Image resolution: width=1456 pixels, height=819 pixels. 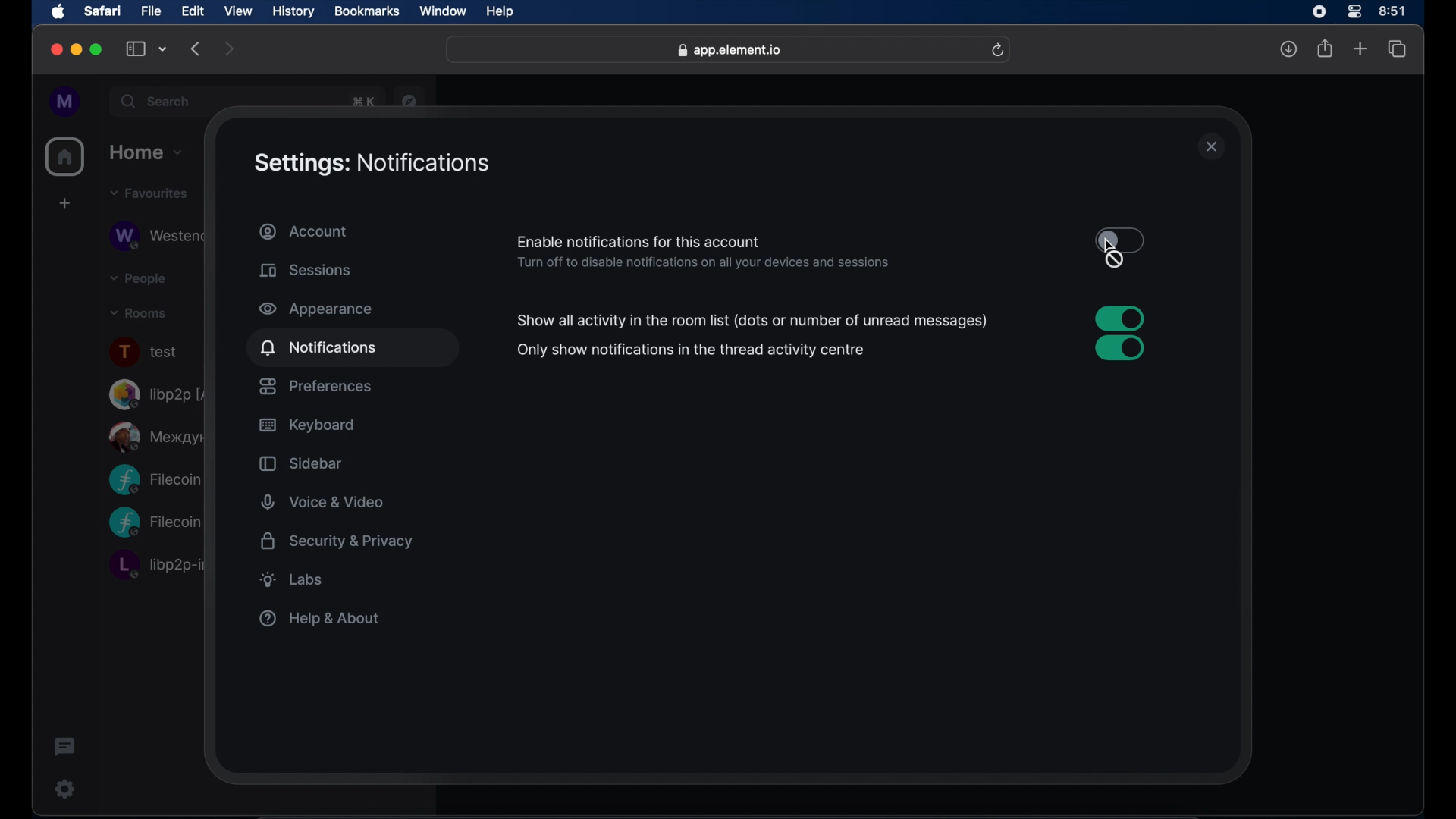 What do you see at coordinates (315, 620) in the screenshot?
I see `help & about` at bounding box center [315, 620].